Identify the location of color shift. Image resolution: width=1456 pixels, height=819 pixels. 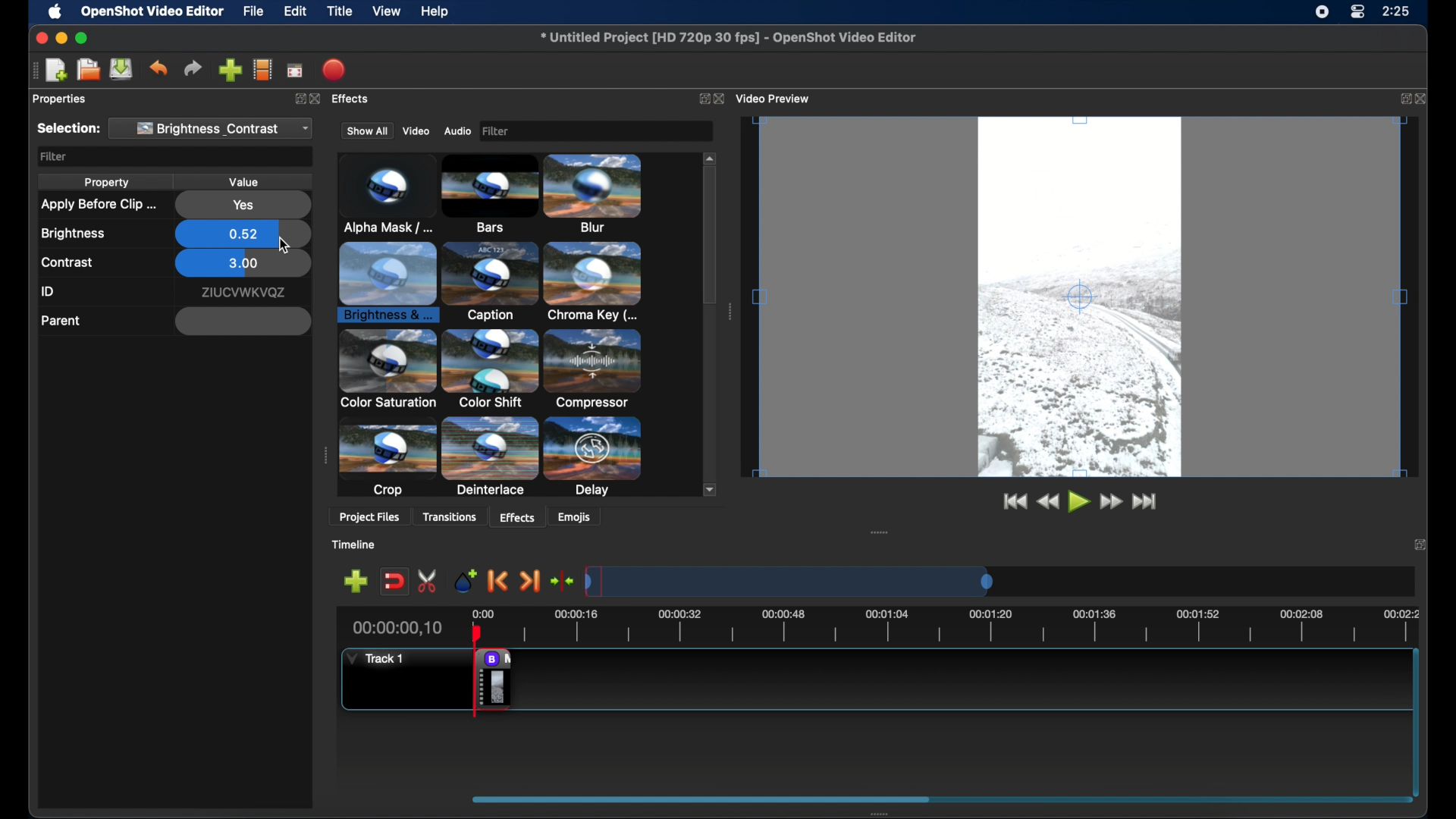
(598, 283).